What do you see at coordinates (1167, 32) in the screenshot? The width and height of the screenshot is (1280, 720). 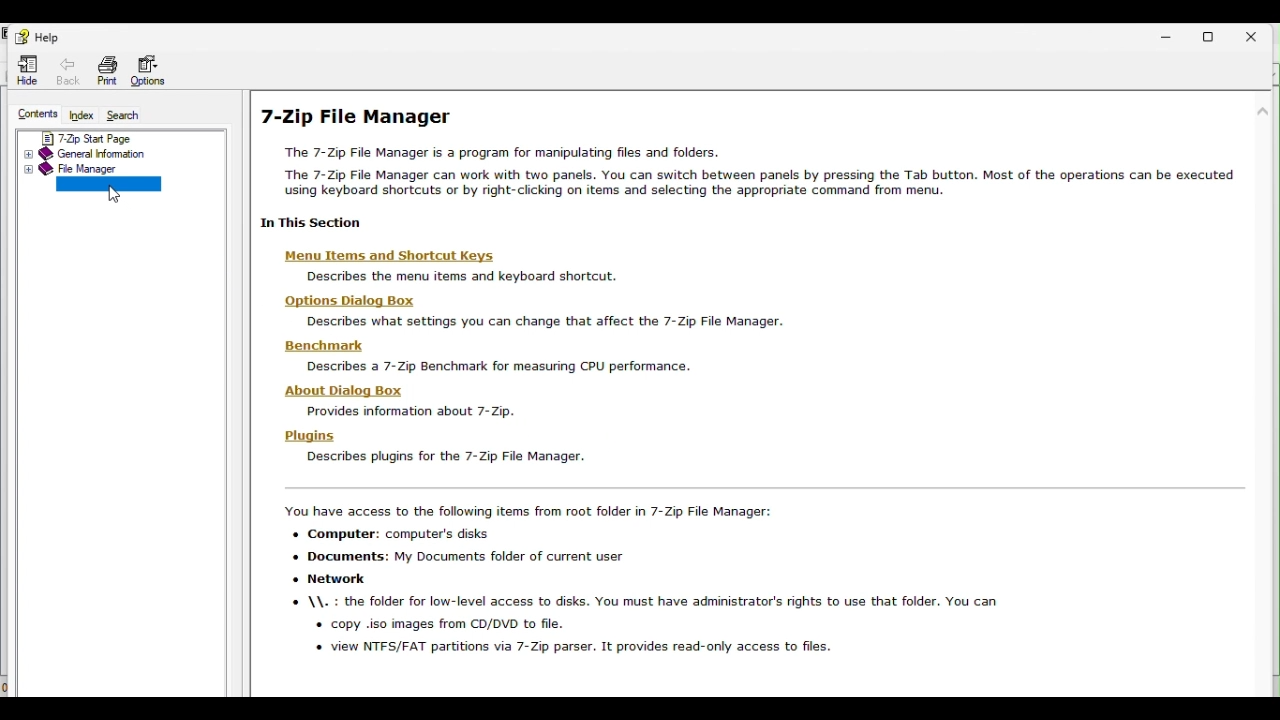 I see `Minimize` at bounding box center [1167, 32].